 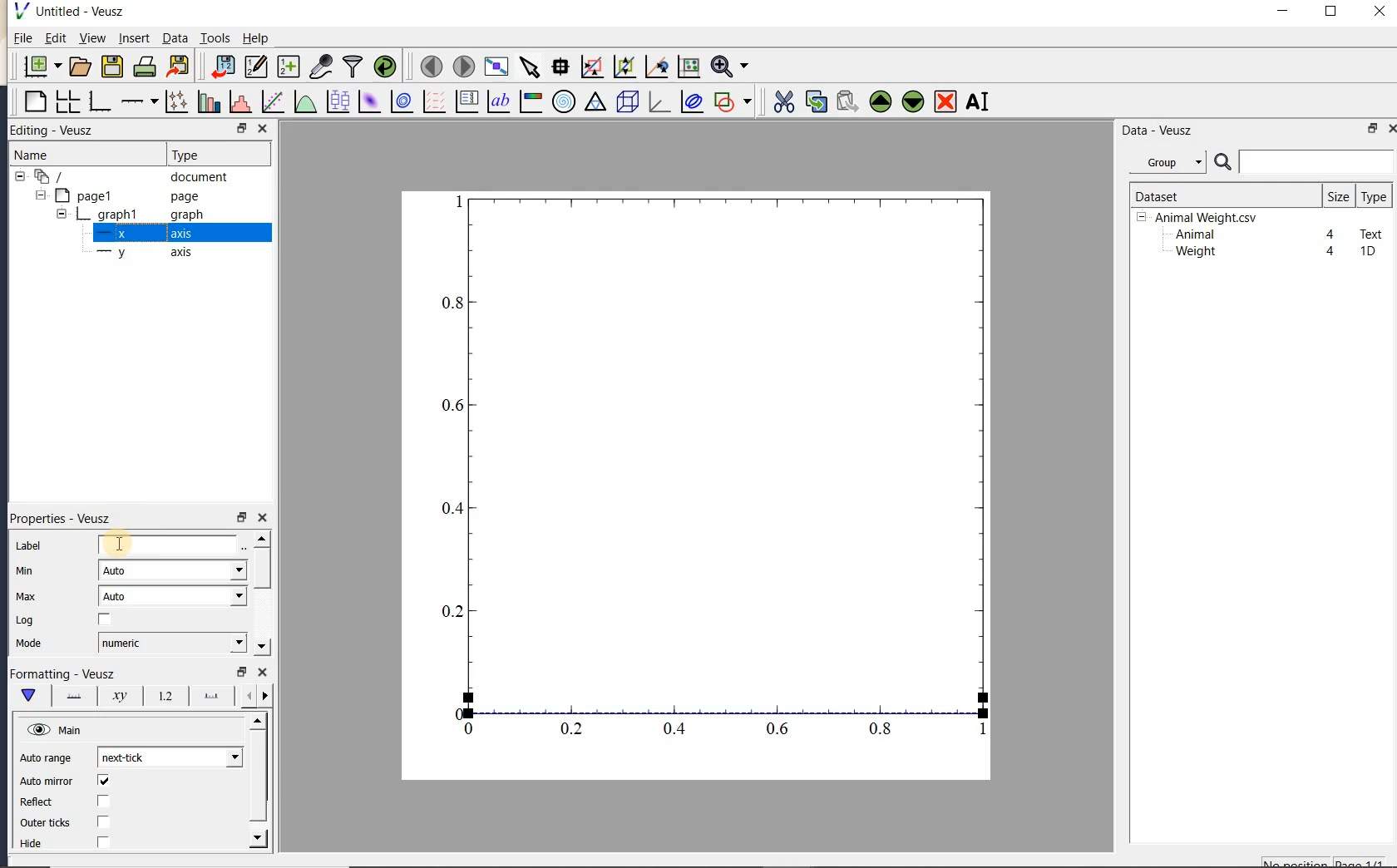 I want to click on Text, so click(x=1372, y=232).